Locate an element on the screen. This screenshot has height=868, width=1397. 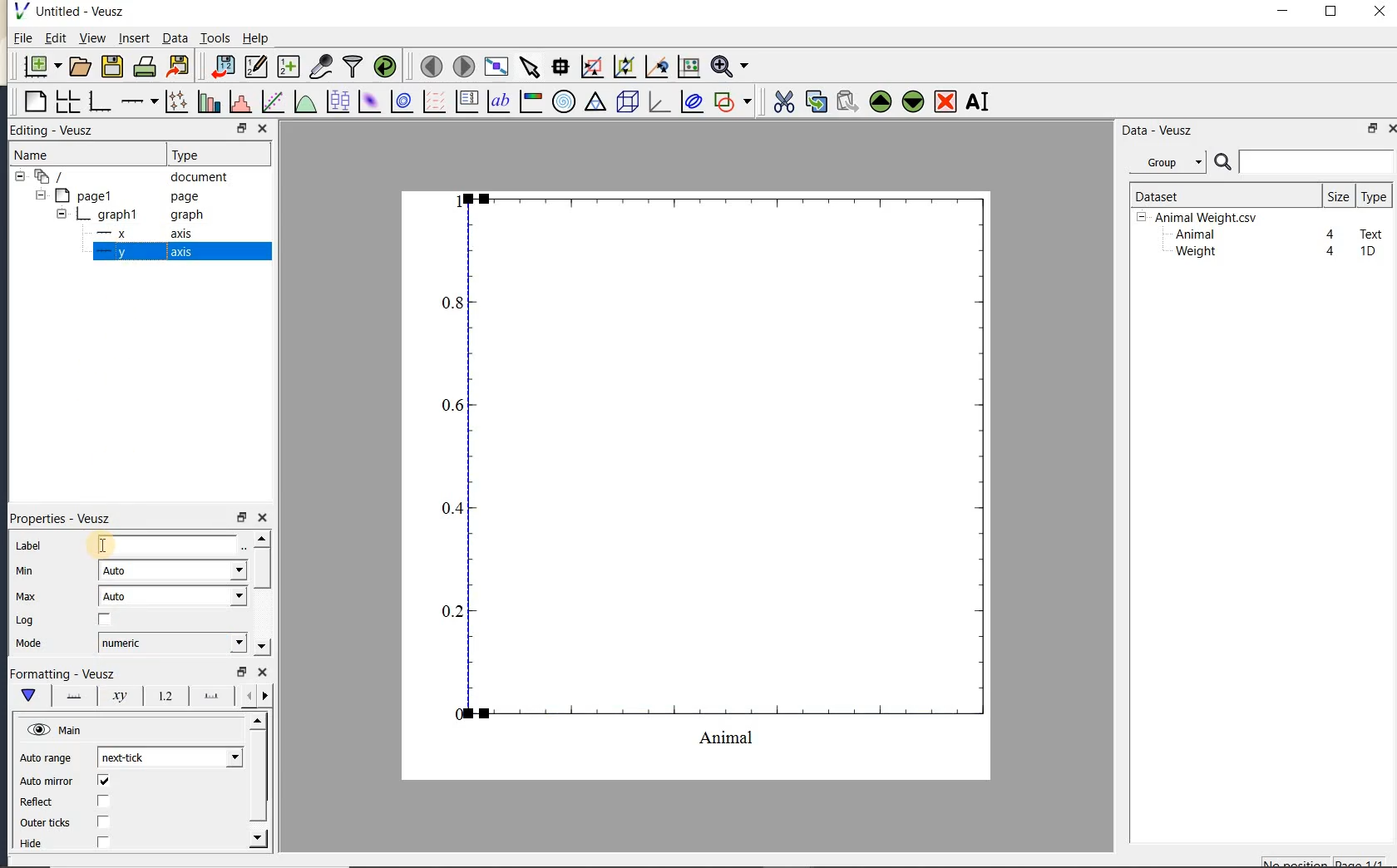
plot covariance ellipses is located at coordinates (690, 101).